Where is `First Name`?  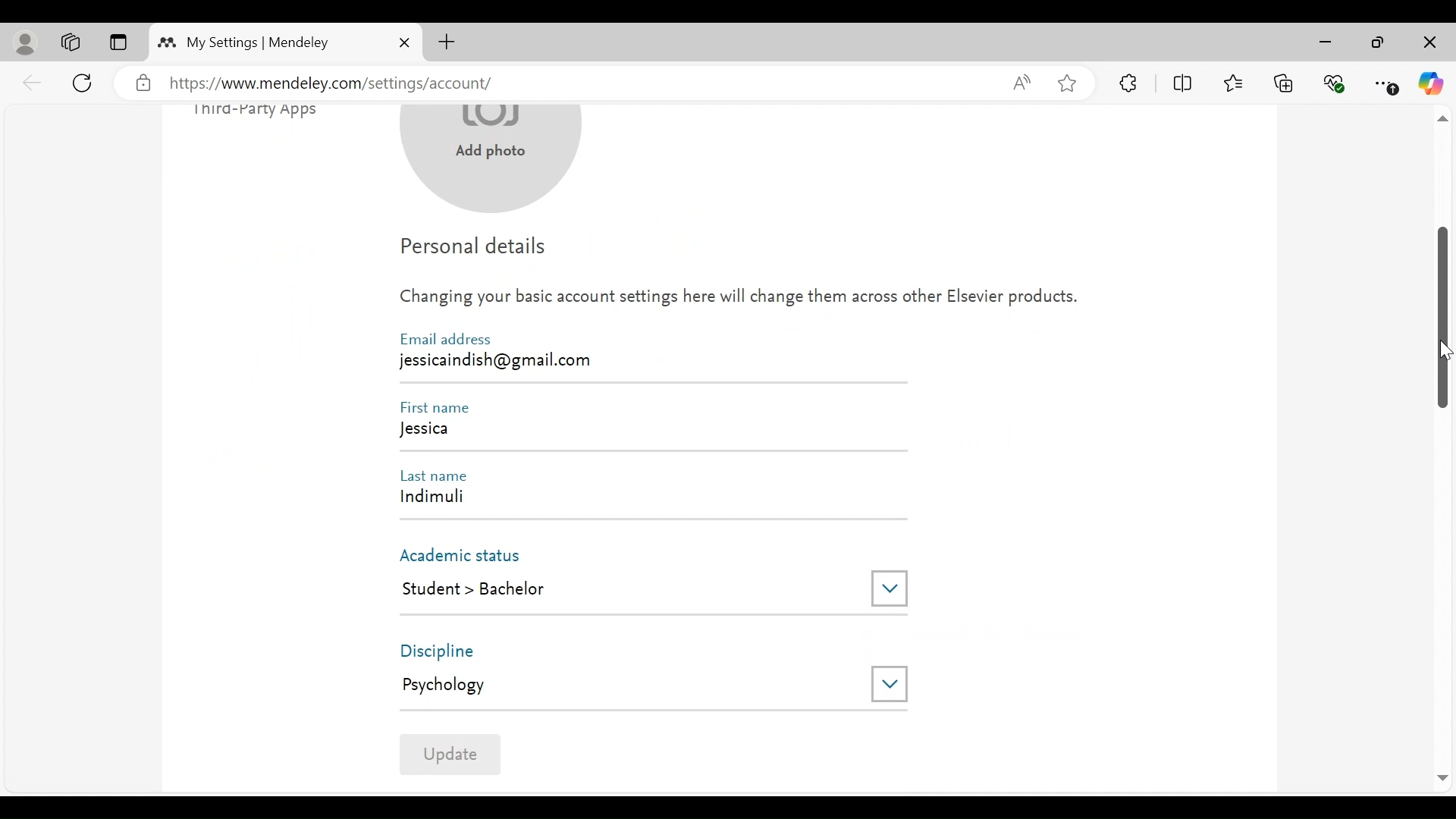 First Name is located at coordinates (440, 407).